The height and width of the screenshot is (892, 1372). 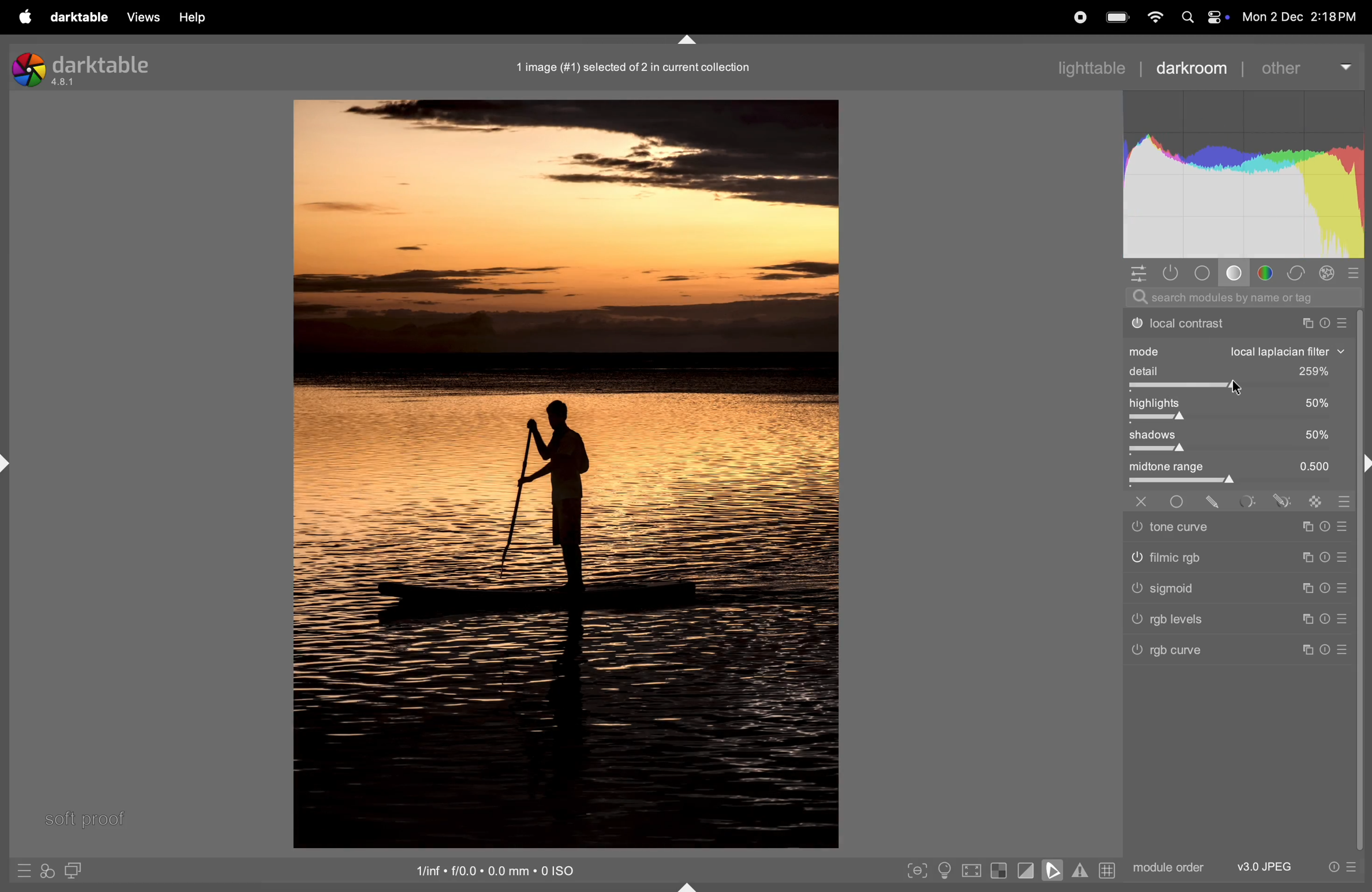 I want to click on show only active modules, so click(x=1171, y=273).